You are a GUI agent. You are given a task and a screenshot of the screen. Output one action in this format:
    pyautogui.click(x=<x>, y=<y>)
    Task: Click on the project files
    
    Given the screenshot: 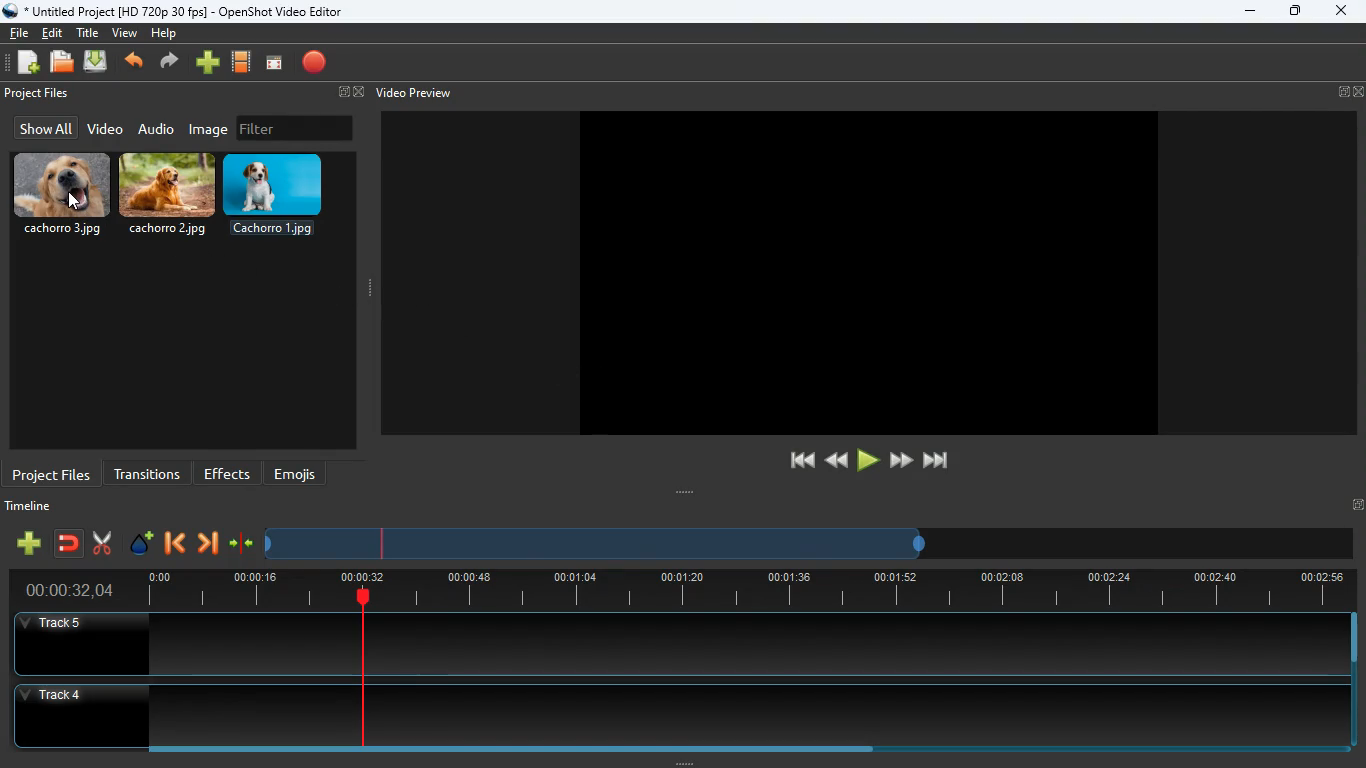 What is the action you would take?
    pyautogui.click(x=39, y=94)
    